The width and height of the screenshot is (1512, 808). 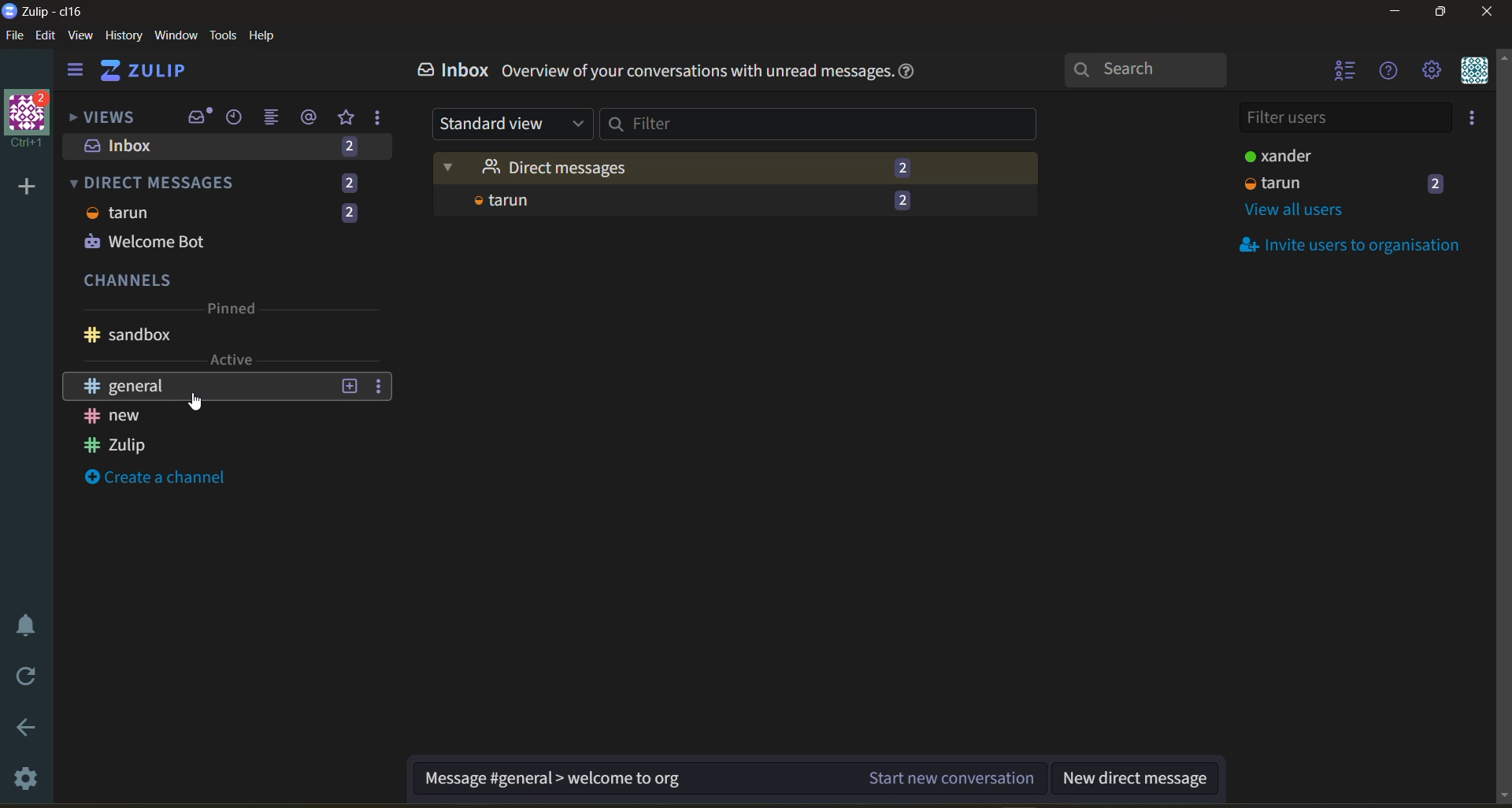 I want to click on view, so click(x=81, y=36).